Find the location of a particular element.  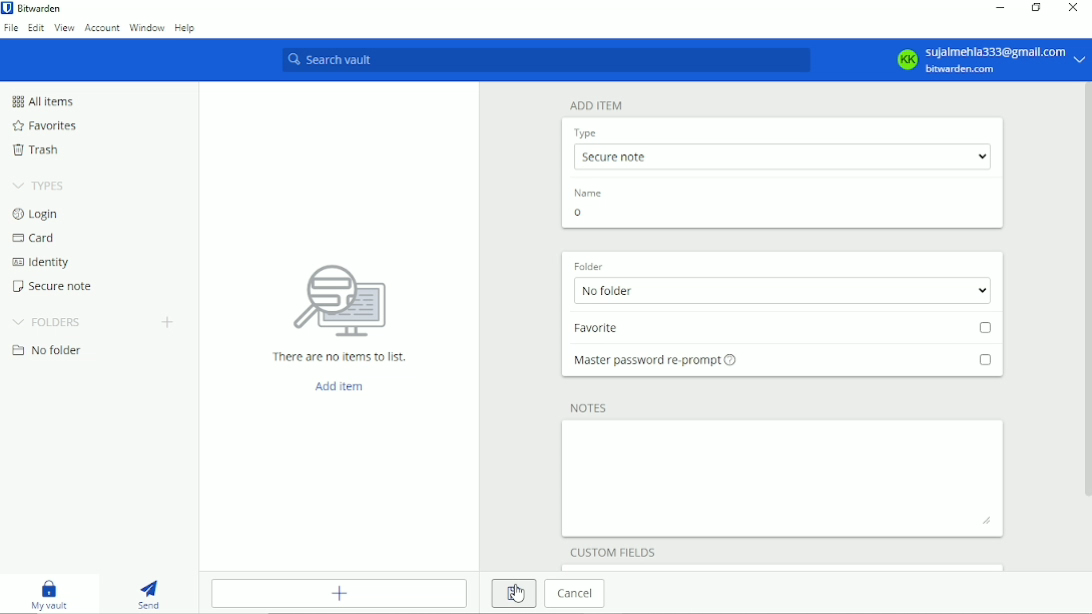

Window is located at coordinates (147, 27).